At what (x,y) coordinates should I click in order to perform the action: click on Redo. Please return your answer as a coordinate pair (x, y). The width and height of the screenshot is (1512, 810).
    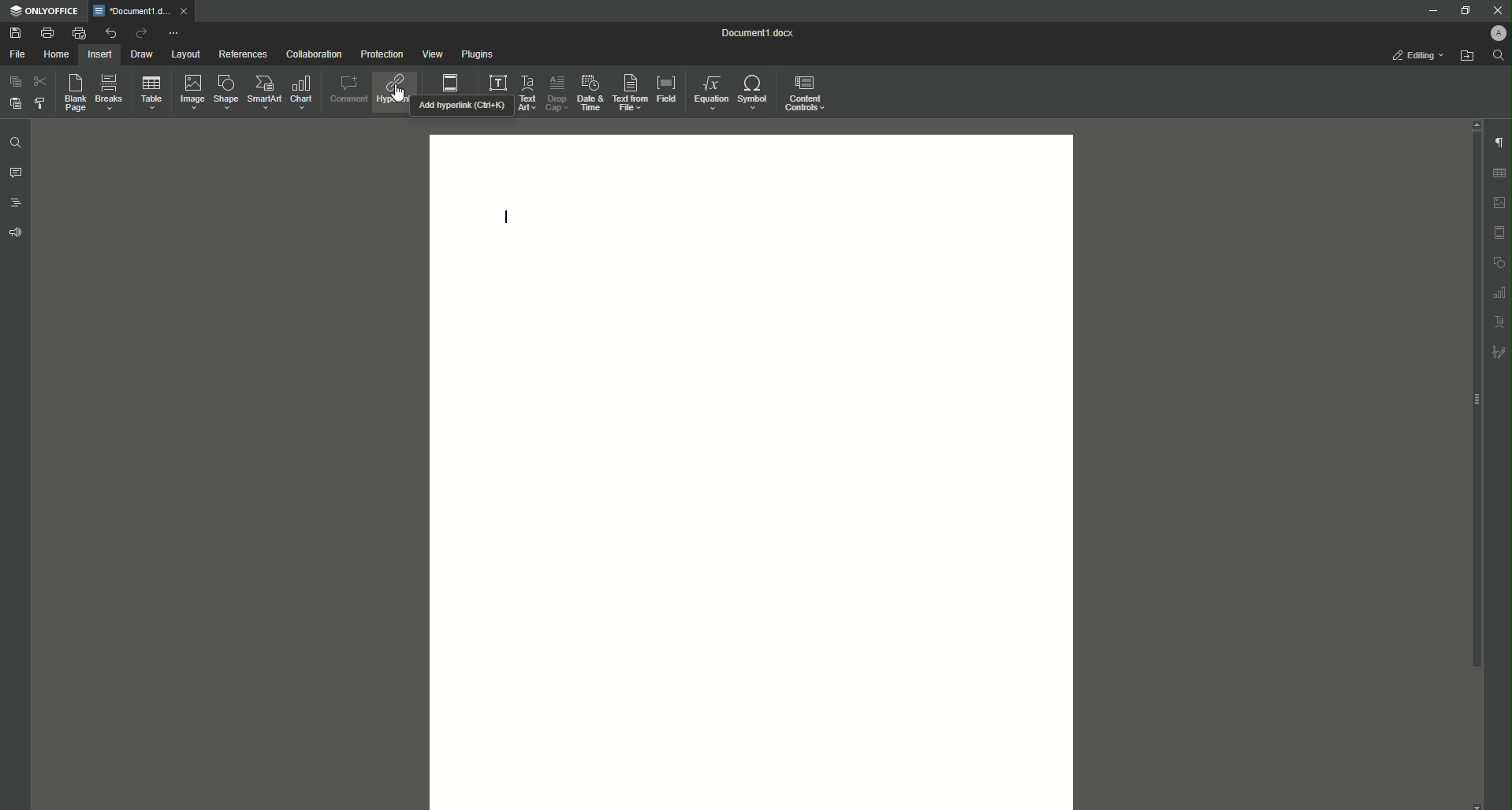
    Looking at the image, I should click on (140, 33).